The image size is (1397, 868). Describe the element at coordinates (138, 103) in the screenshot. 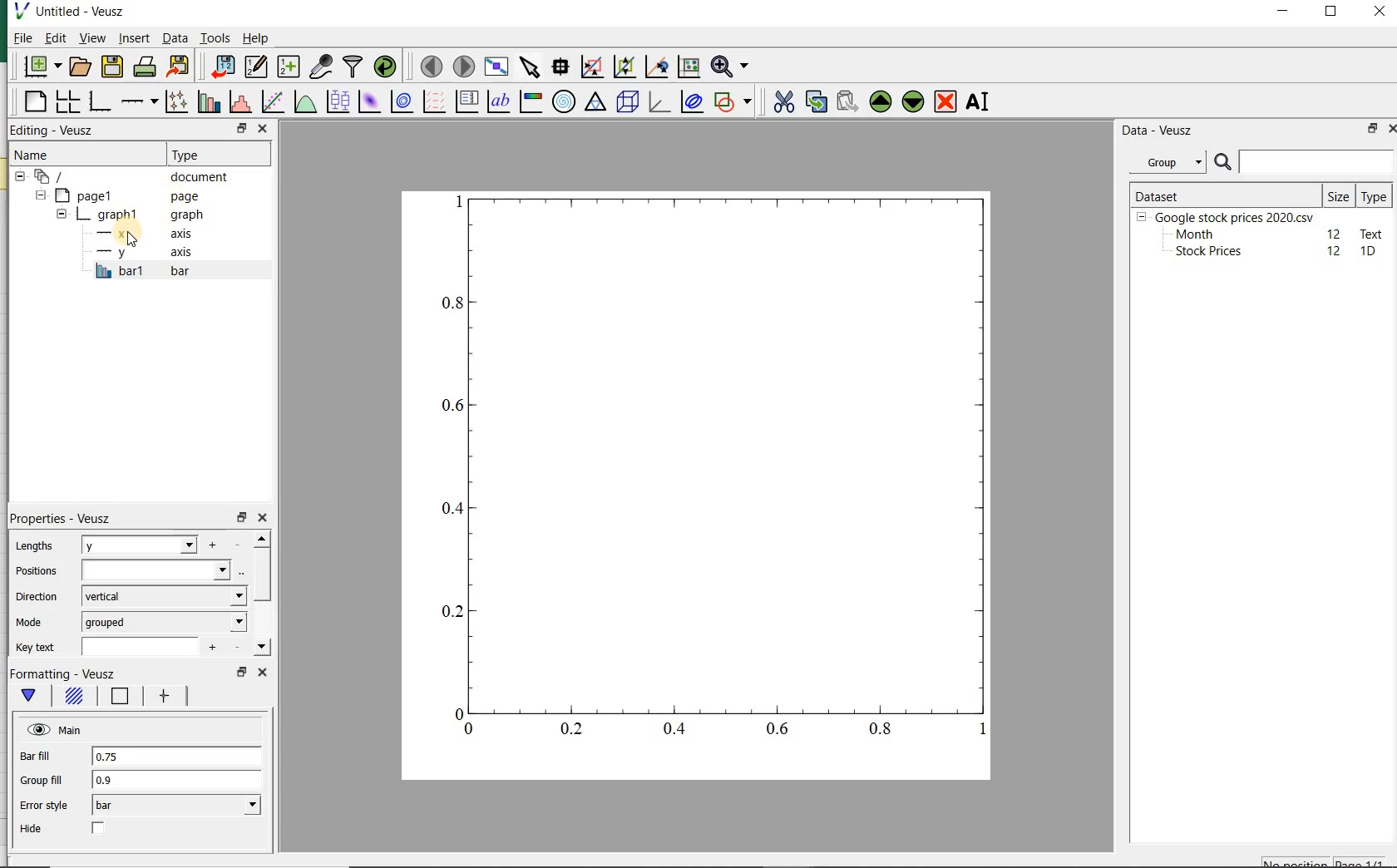

I see `add an axis to the plot` at that location.